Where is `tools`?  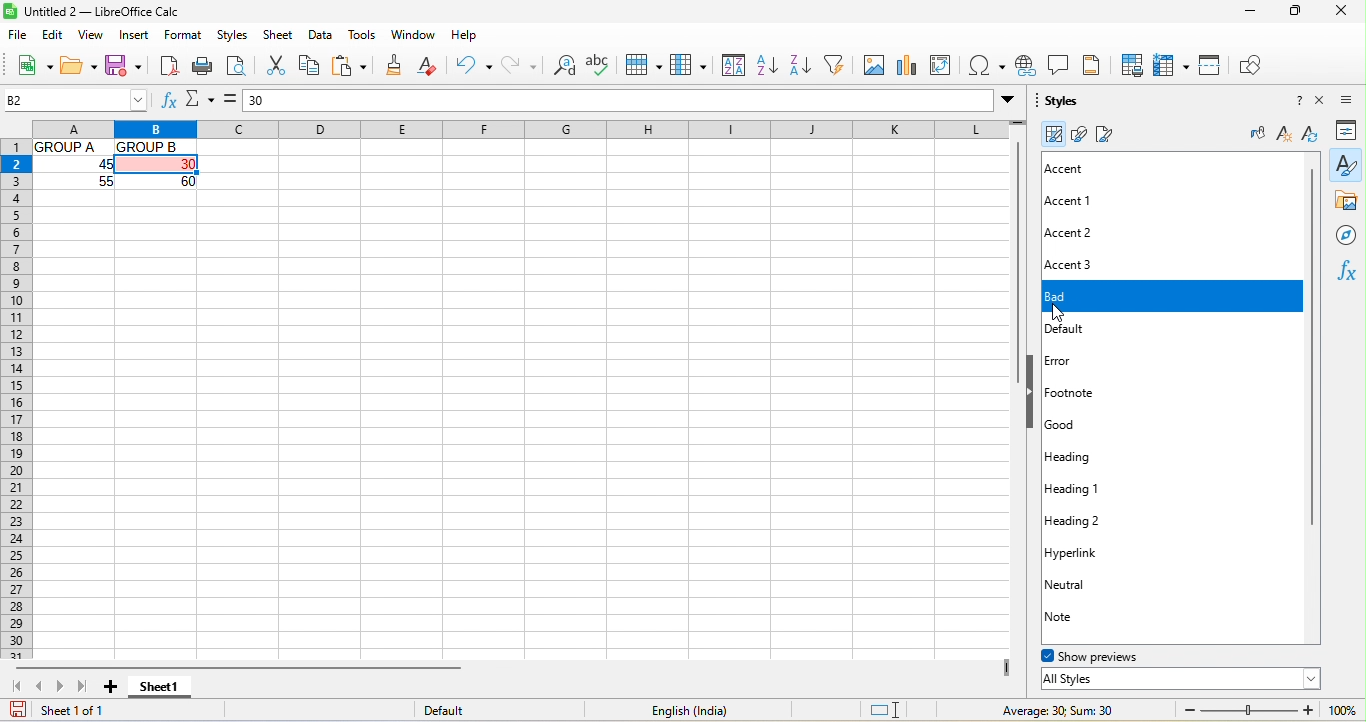 tools is located at coordinates (365, 35).